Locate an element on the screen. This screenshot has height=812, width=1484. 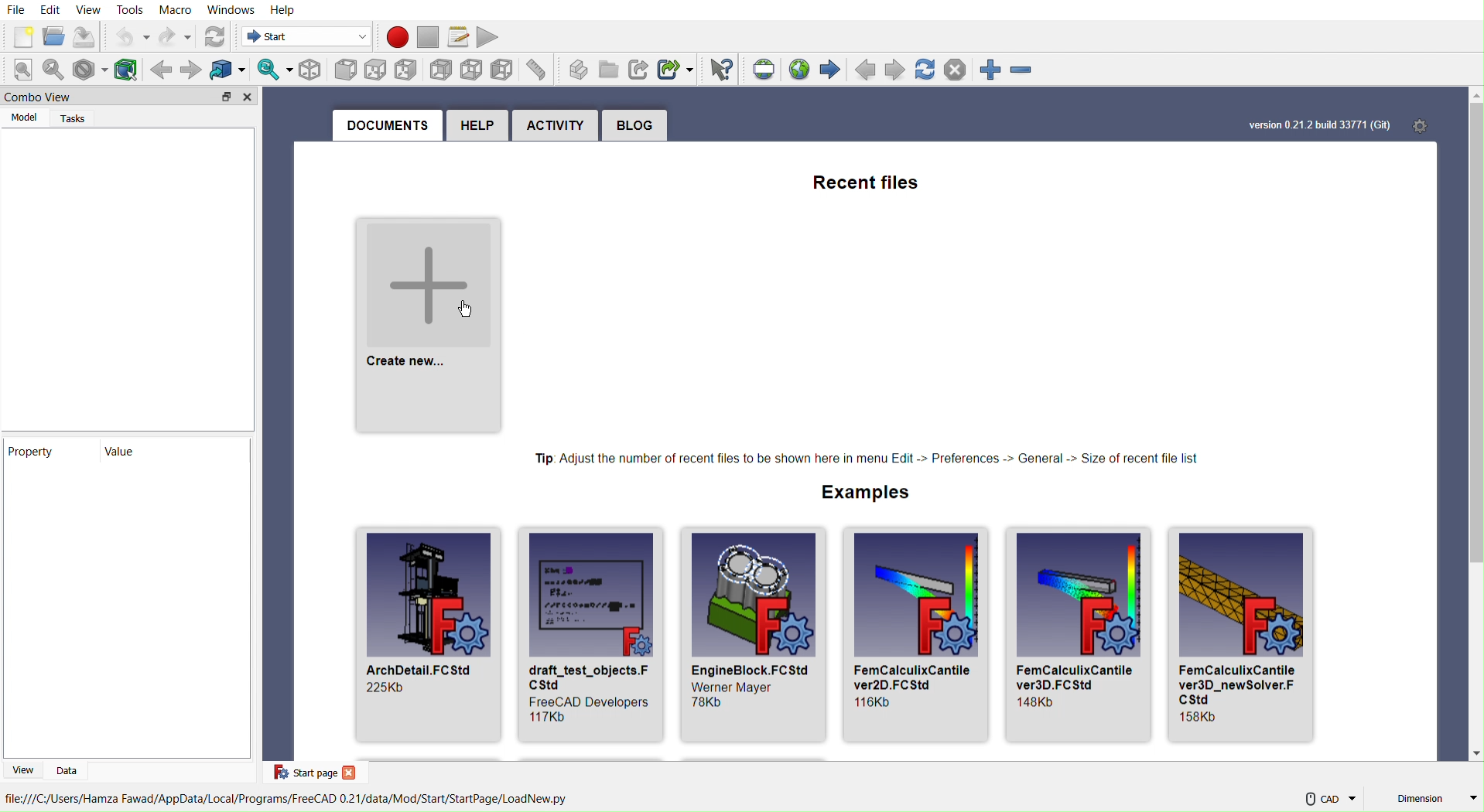
Execute a recorded macro is located at coordinates (458, 36).